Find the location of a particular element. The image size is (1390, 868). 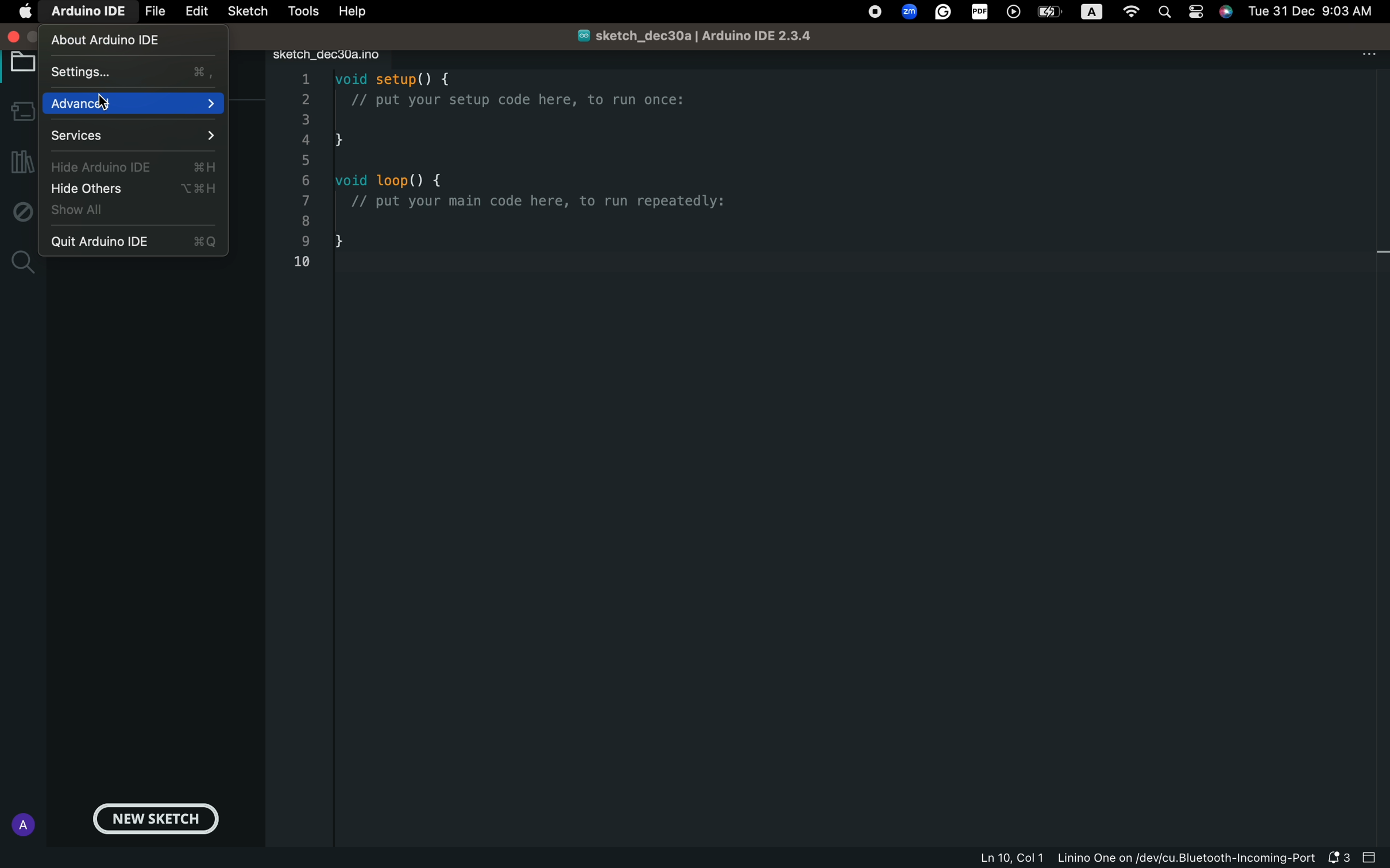

Zoom is located at coordinates (910, 10).